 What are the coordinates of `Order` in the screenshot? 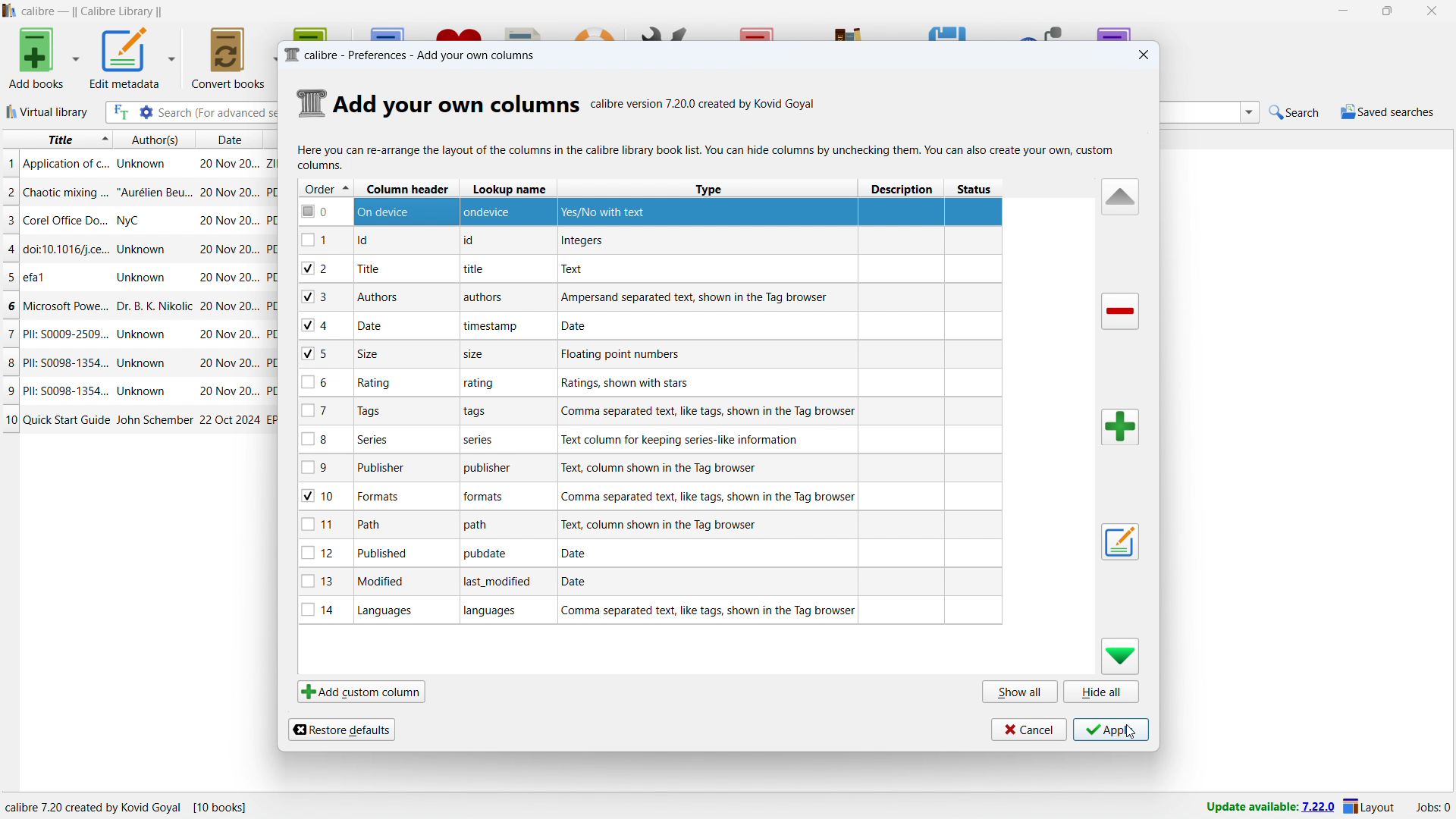 It's located at (325, 187).